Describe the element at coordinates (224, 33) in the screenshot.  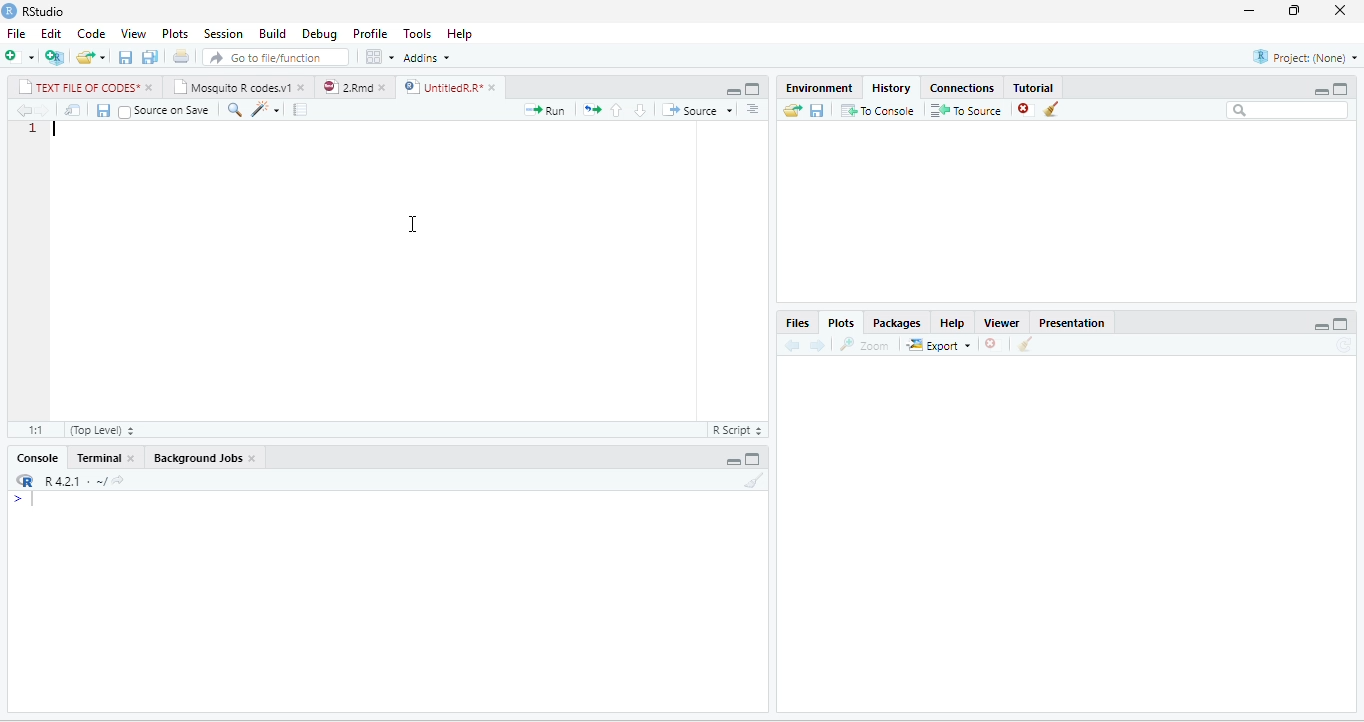
I see `Session` at that location.